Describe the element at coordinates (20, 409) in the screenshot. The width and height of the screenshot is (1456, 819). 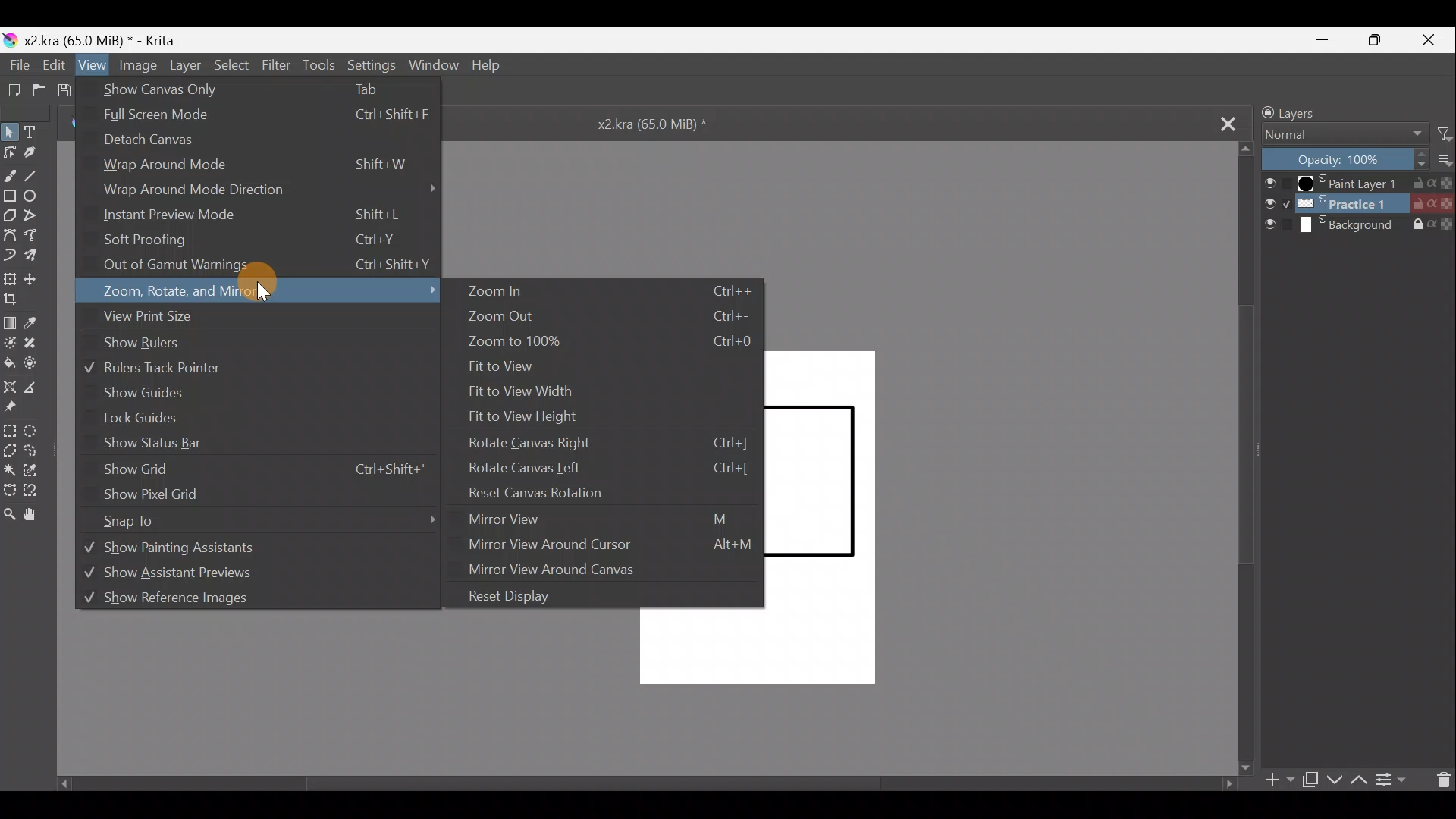
I see `Reference images tool` at that location.